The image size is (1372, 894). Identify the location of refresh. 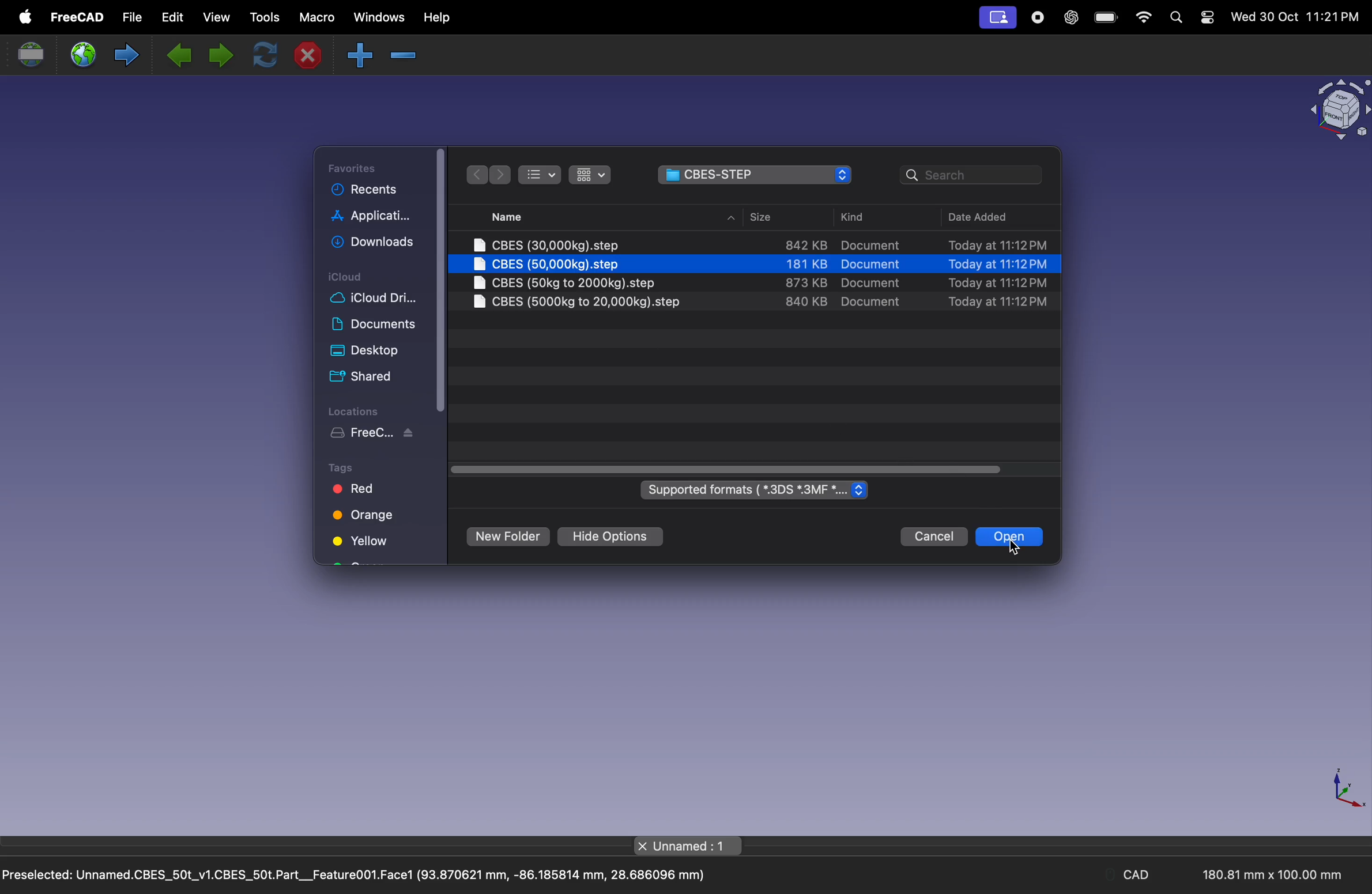
(260, 54).